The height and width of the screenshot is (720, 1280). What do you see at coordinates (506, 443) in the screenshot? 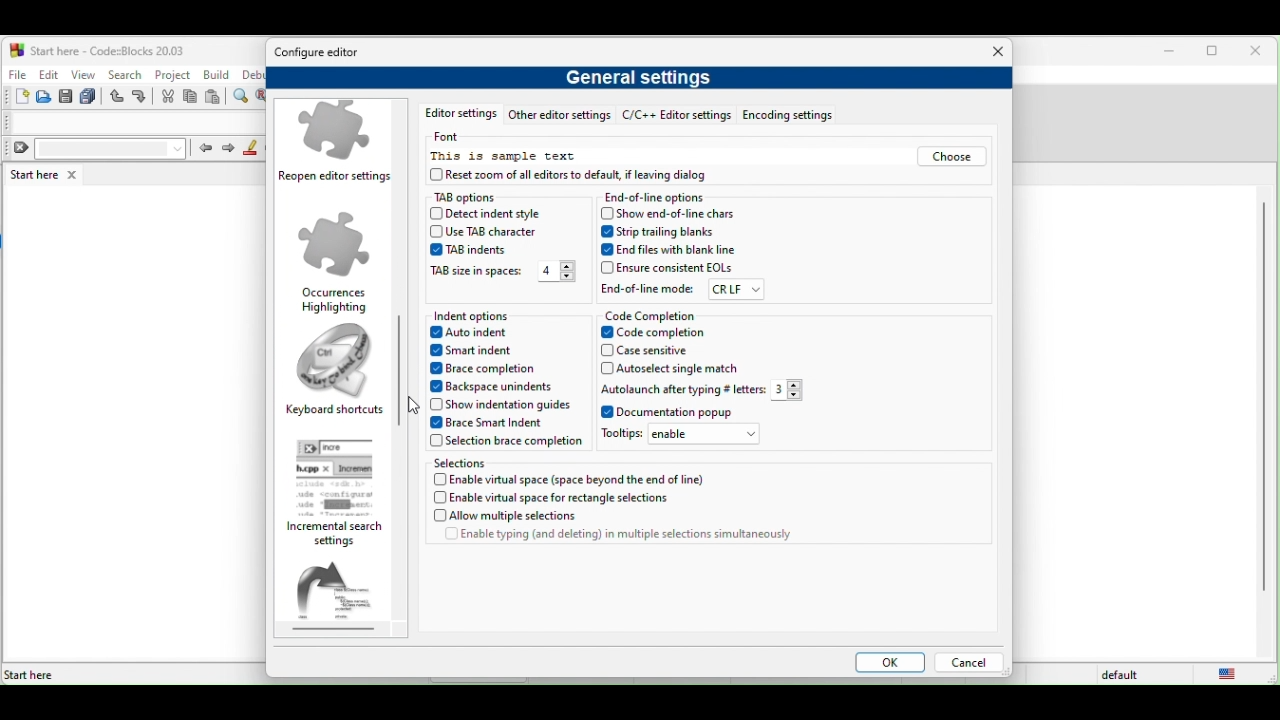
I see `selection brace completion` at bounding box center [506, 443].